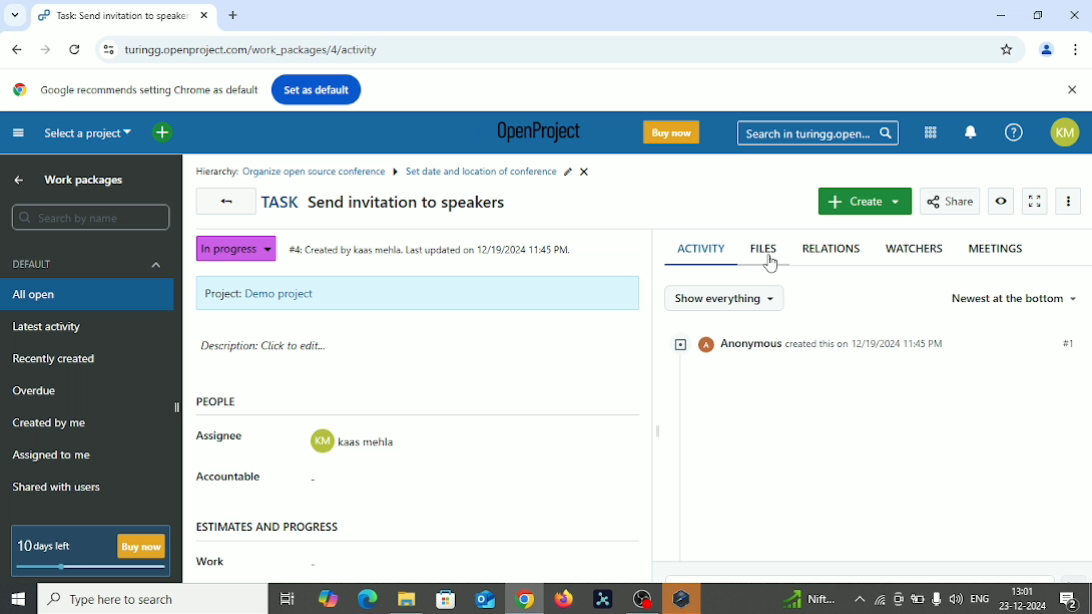 The image size is (1092, 614). I want to click on Time, so click(1024, 589).